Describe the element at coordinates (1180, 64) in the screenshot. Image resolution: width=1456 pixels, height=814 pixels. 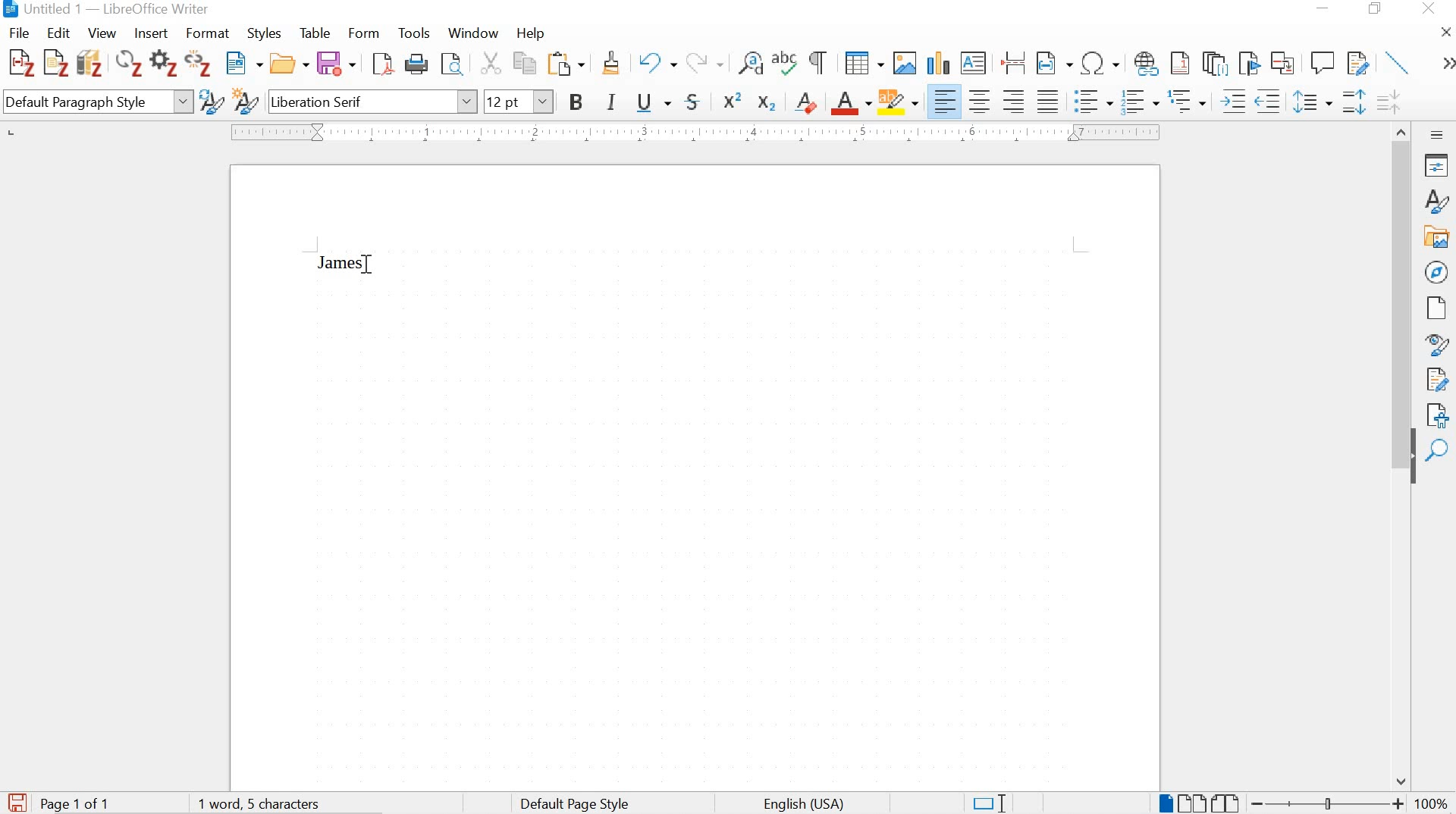
I see `insert endnote` at that location.